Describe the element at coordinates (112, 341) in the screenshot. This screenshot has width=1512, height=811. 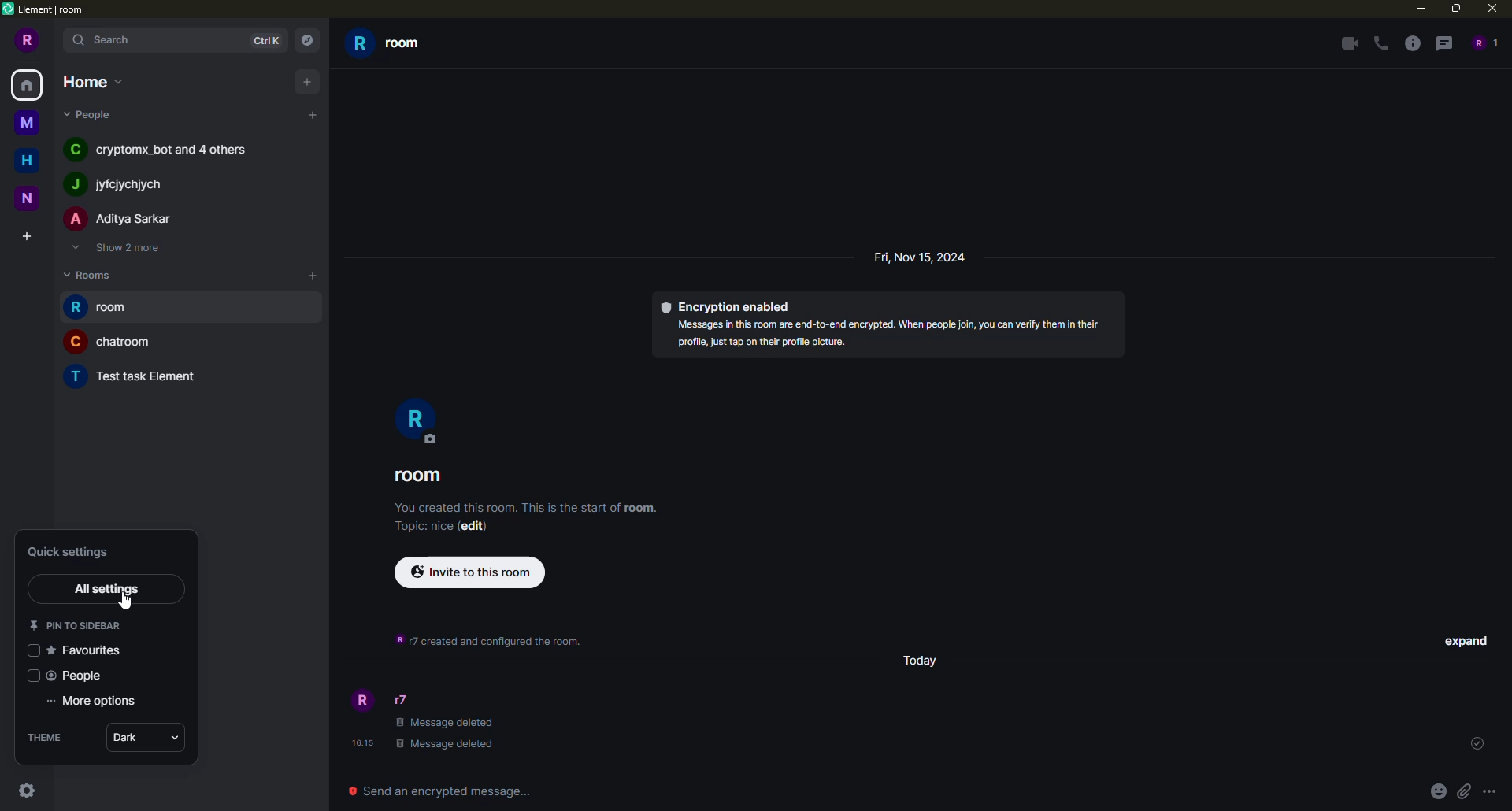
I see `room` at that location.